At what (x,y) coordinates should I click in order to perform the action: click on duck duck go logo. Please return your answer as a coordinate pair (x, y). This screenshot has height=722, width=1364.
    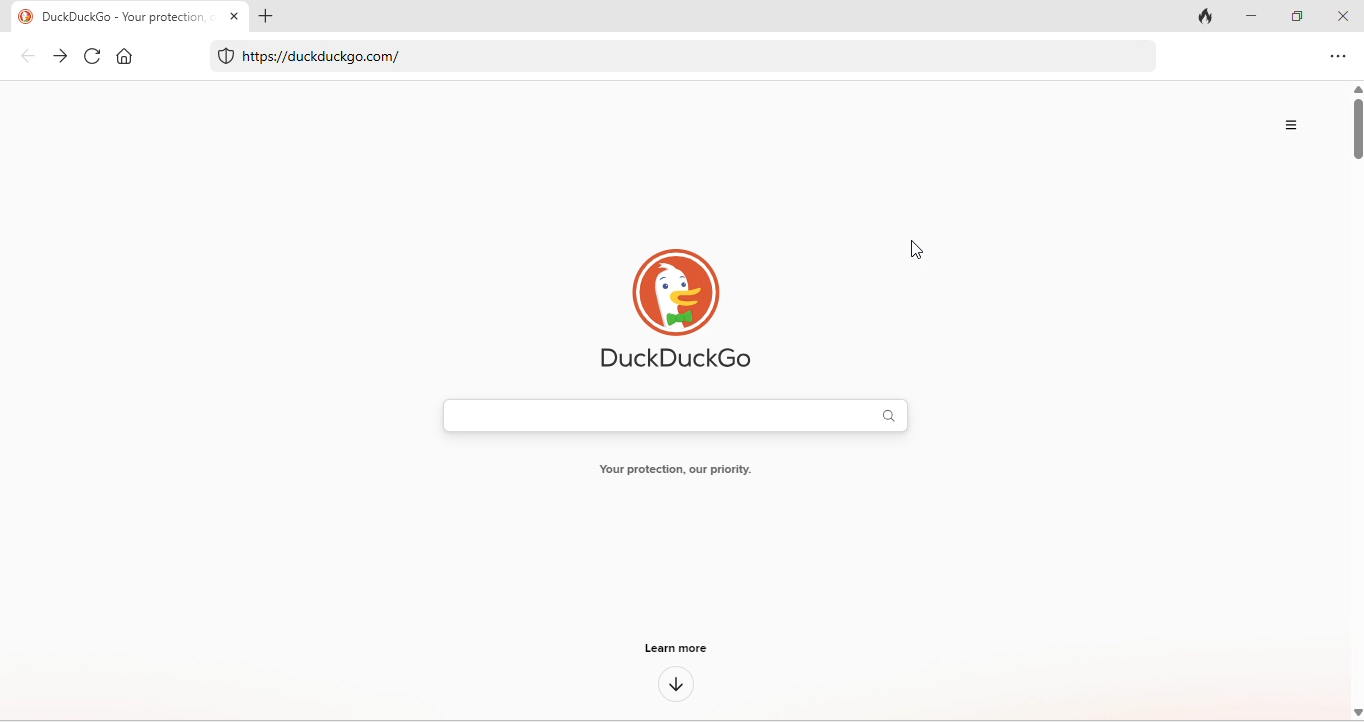
    Looking at the image, I should click on (677, 307).